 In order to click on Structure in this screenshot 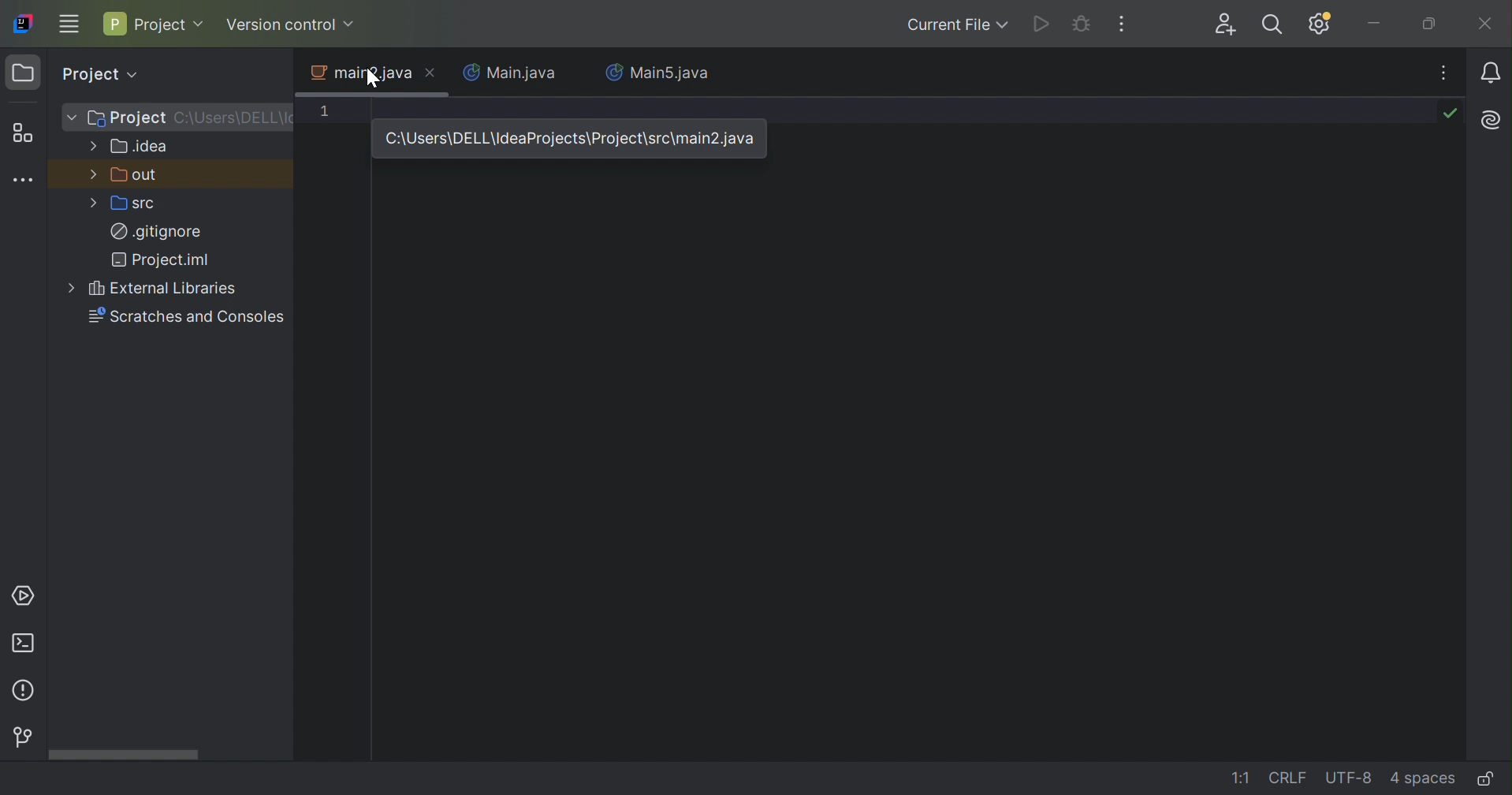, I will do `click(22, 136)`.